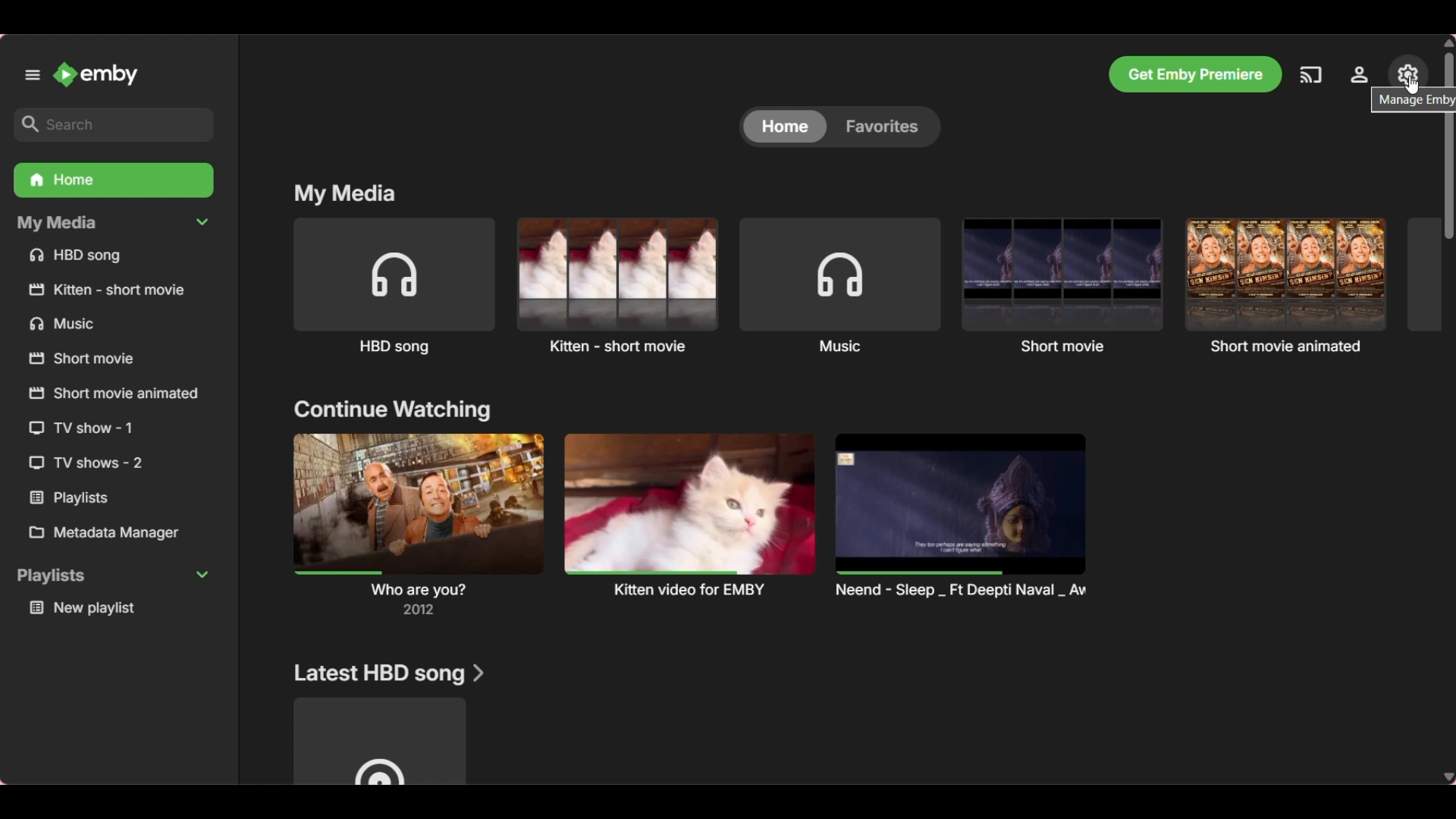  I want to click on Short movie, so click(115, 392).